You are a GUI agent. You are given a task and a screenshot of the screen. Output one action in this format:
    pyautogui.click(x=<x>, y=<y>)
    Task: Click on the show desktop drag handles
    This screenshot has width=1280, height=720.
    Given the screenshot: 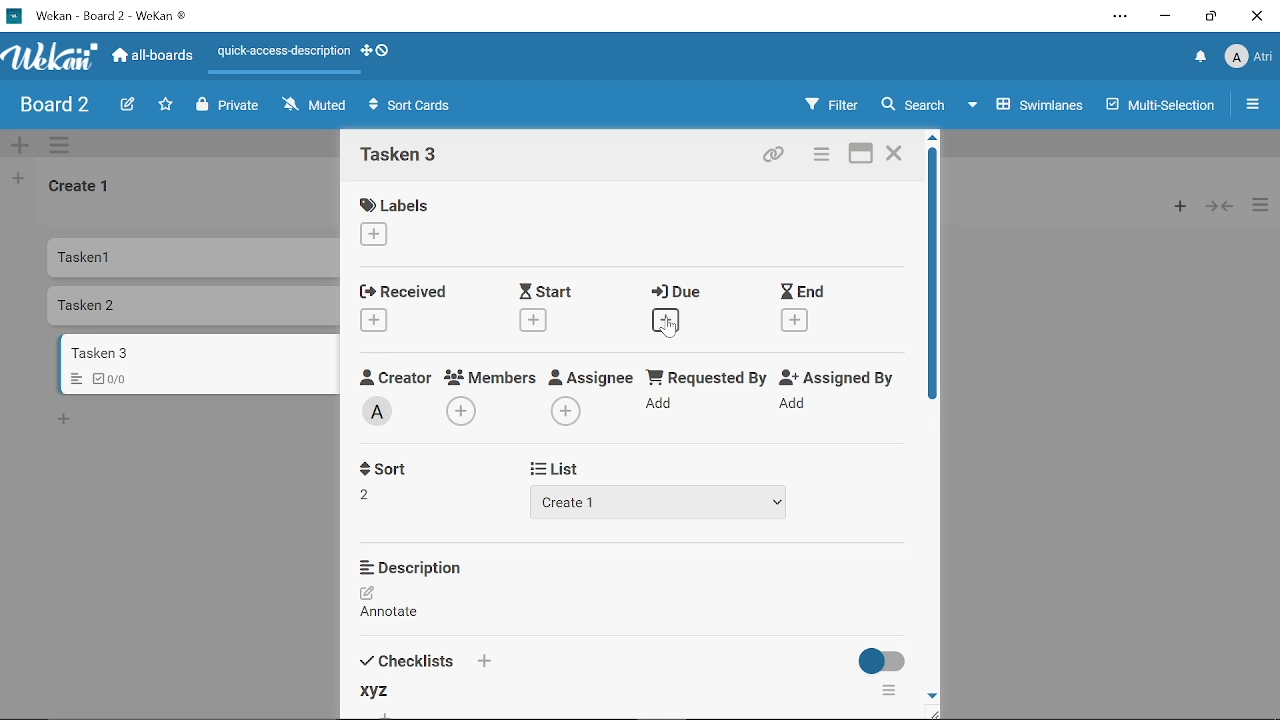 What is the action you would take?
    pyautogui.click(x=364, y=53)
    